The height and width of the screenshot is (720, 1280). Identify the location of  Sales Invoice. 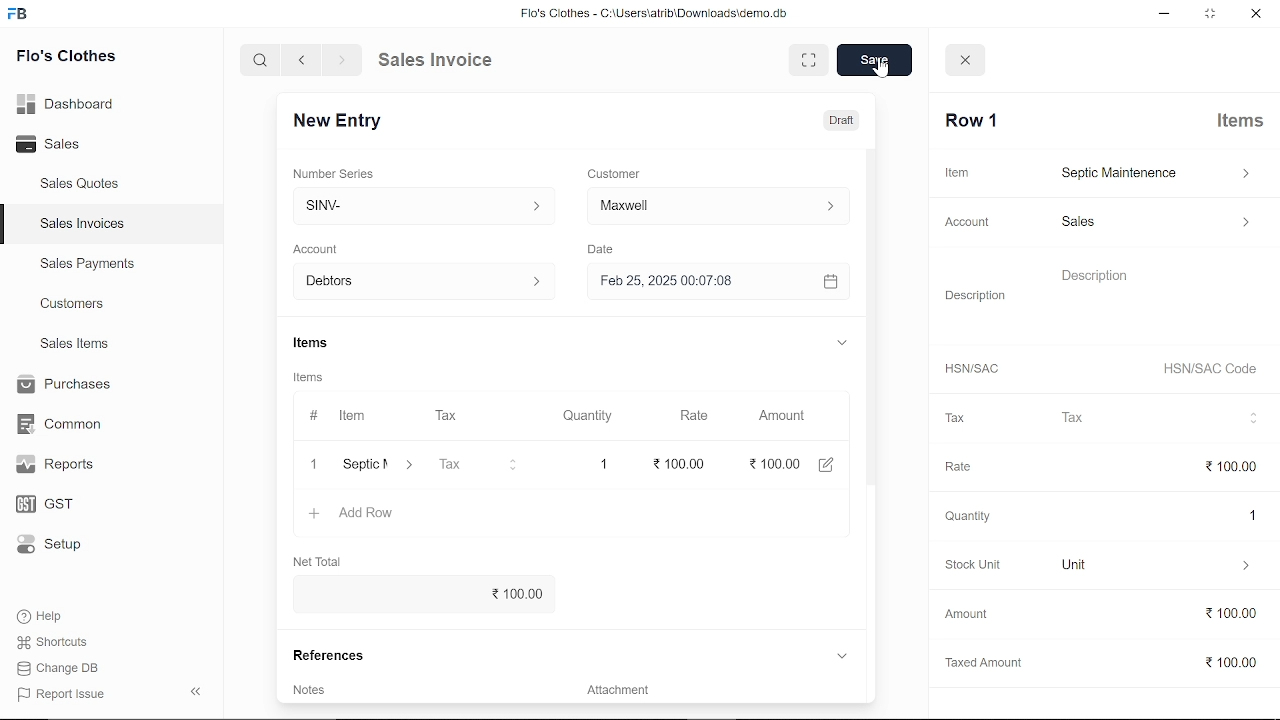
(446, 61).